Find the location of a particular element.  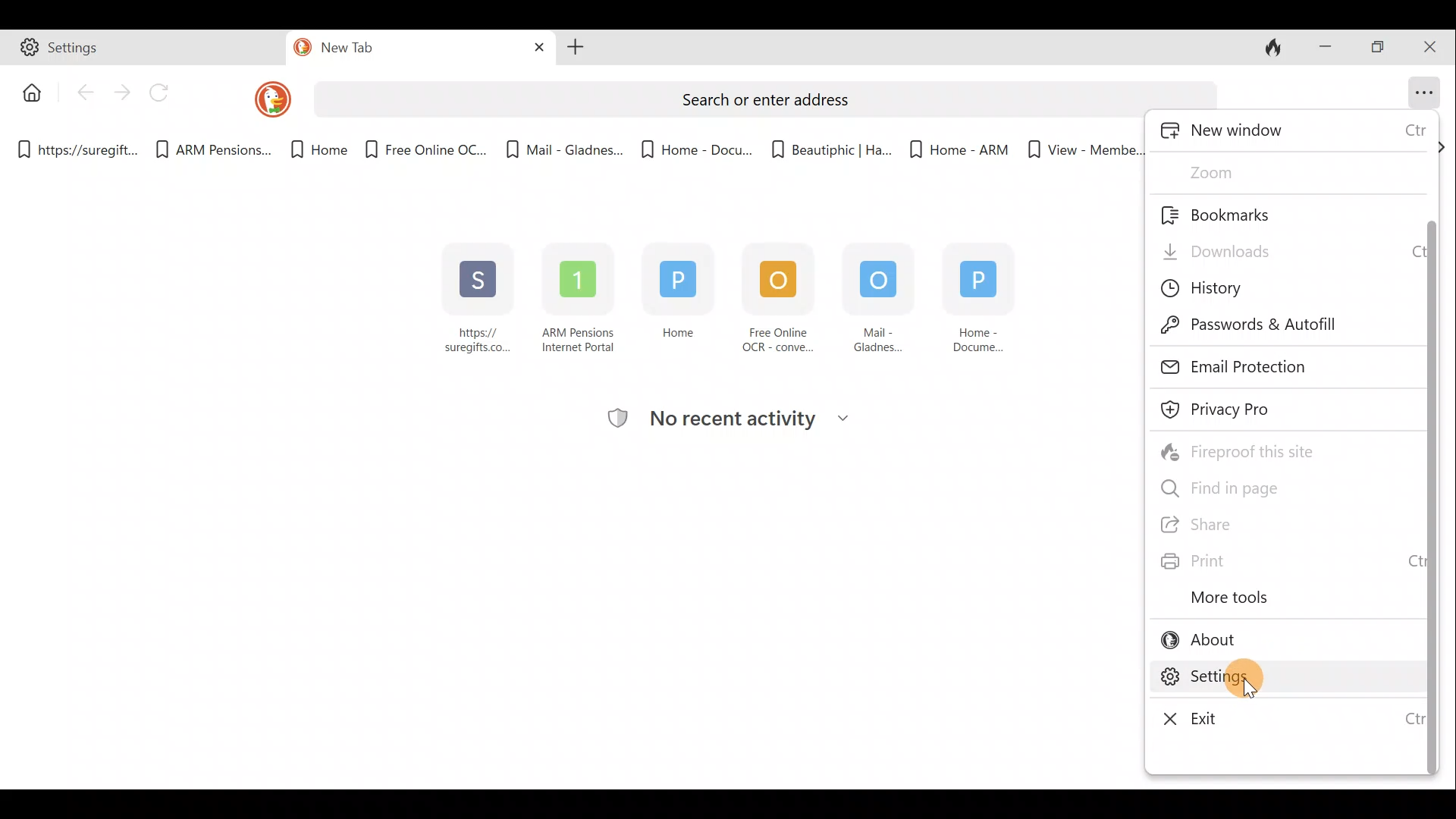

Home - Document is located at coordinates (984, 295).